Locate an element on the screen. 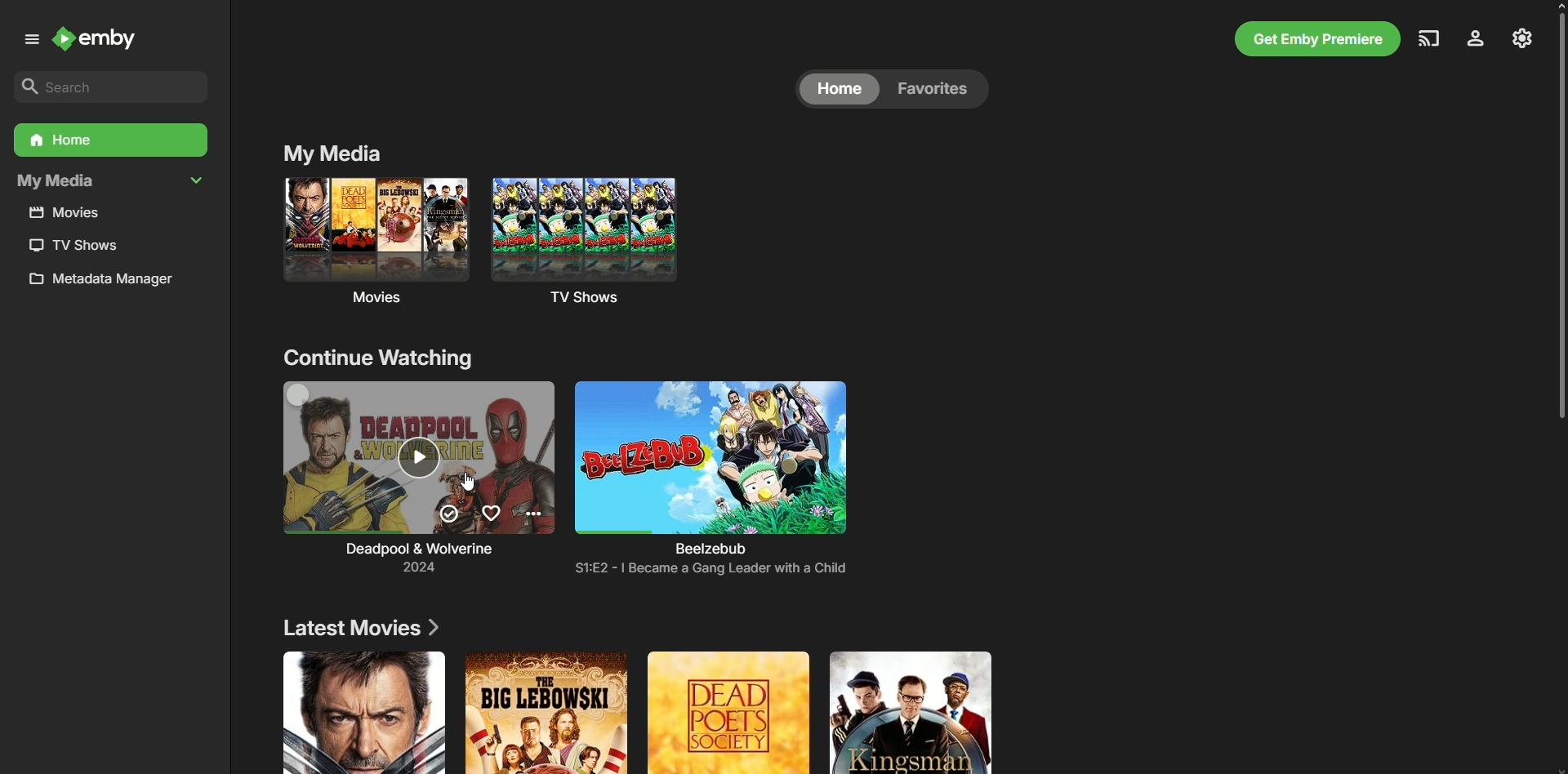  TV Shows is located at coordinates (71, 245).